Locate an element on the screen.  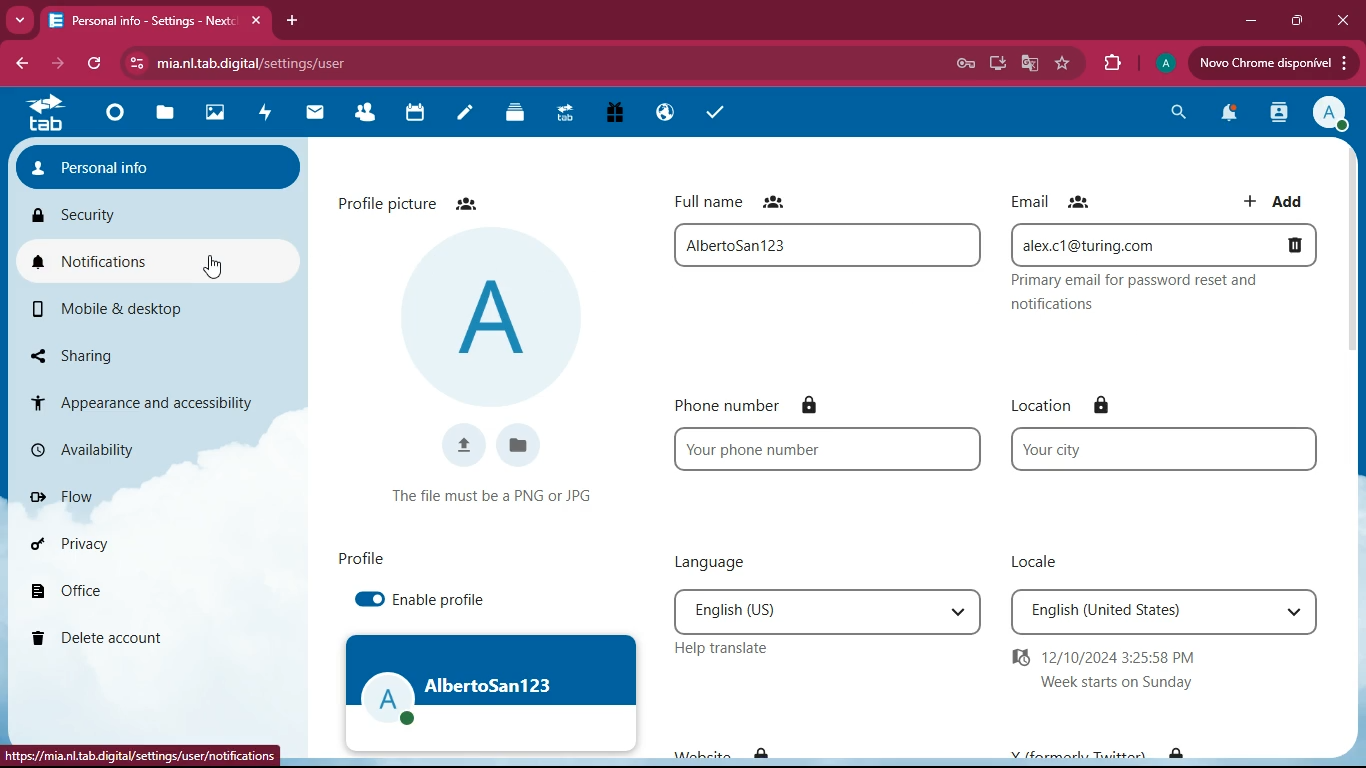
mail is located at coordinates (321, 113).